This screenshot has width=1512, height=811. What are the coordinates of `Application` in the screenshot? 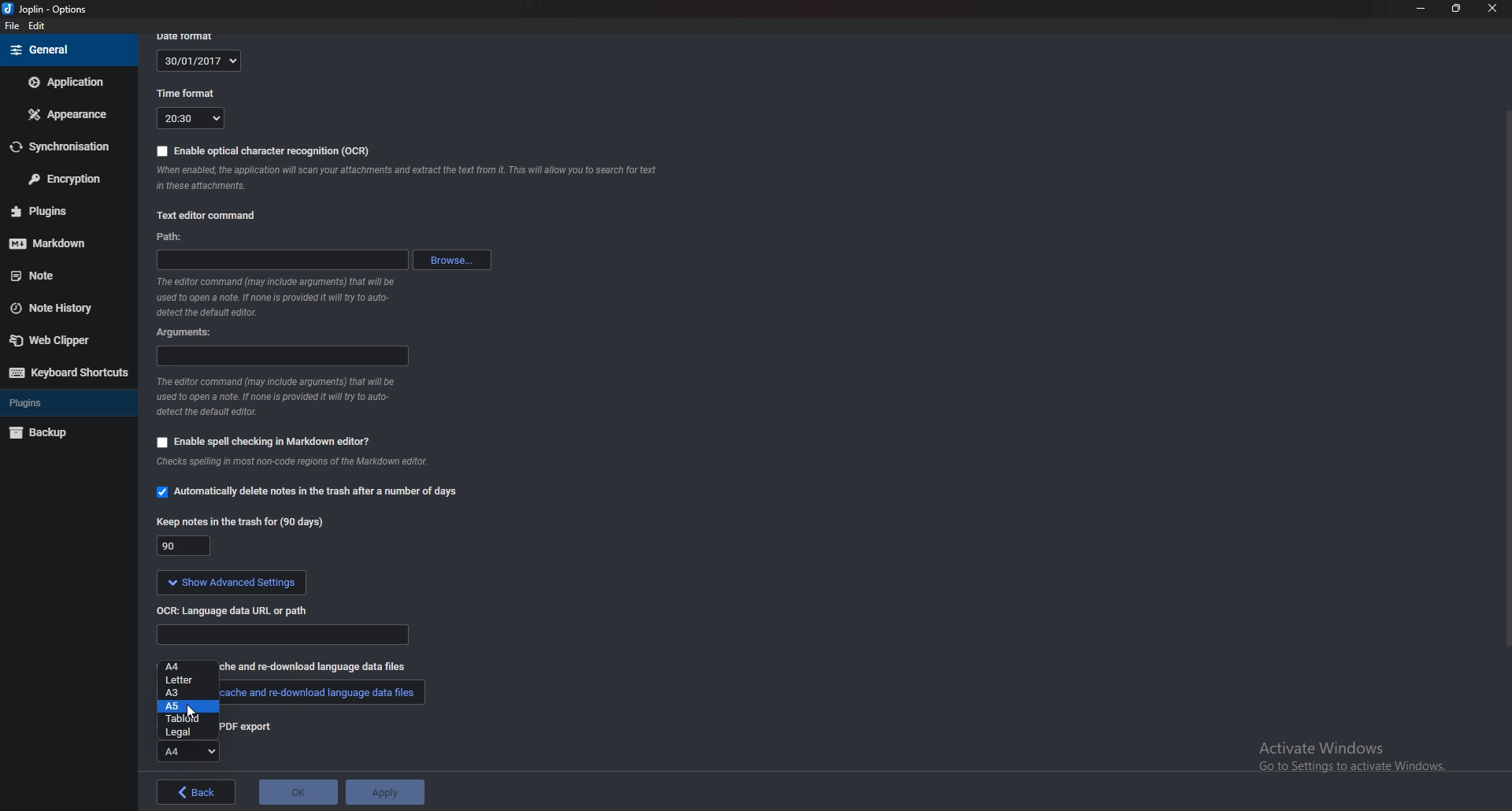 It's located at (68, 82).